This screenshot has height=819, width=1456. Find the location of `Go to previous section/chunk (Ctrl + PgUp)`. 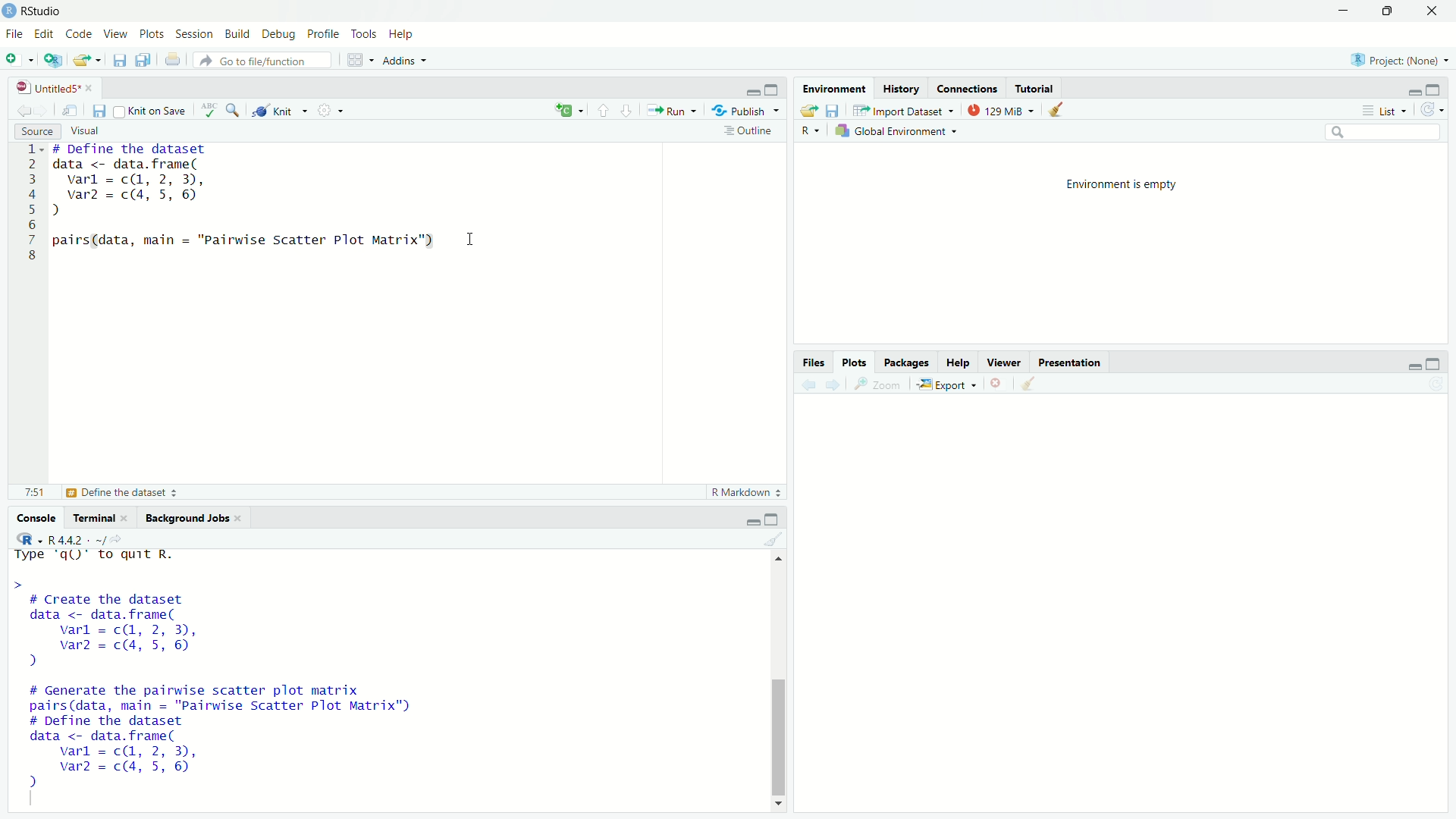

Go to previous section/chunk (Ctrl + PgUp) is located at coordinates (604, 110).